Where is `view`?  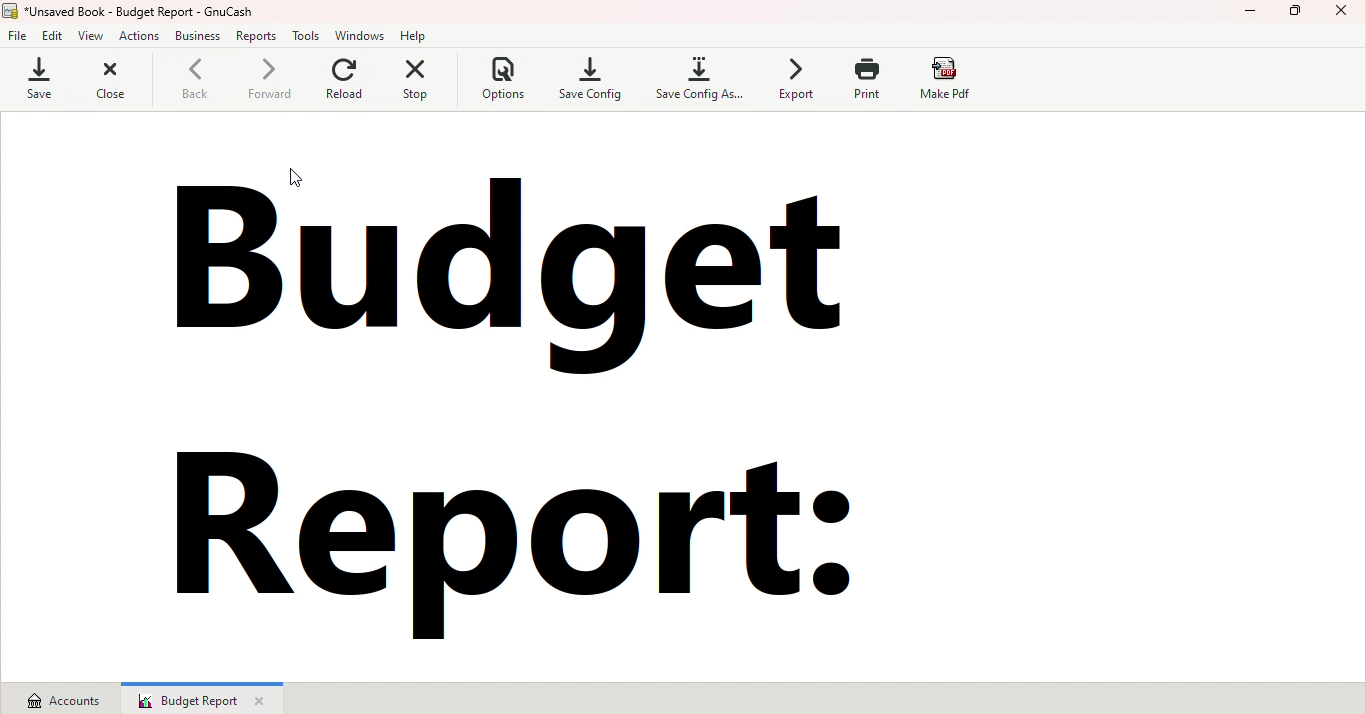 view is located at coordinates (93, 36).